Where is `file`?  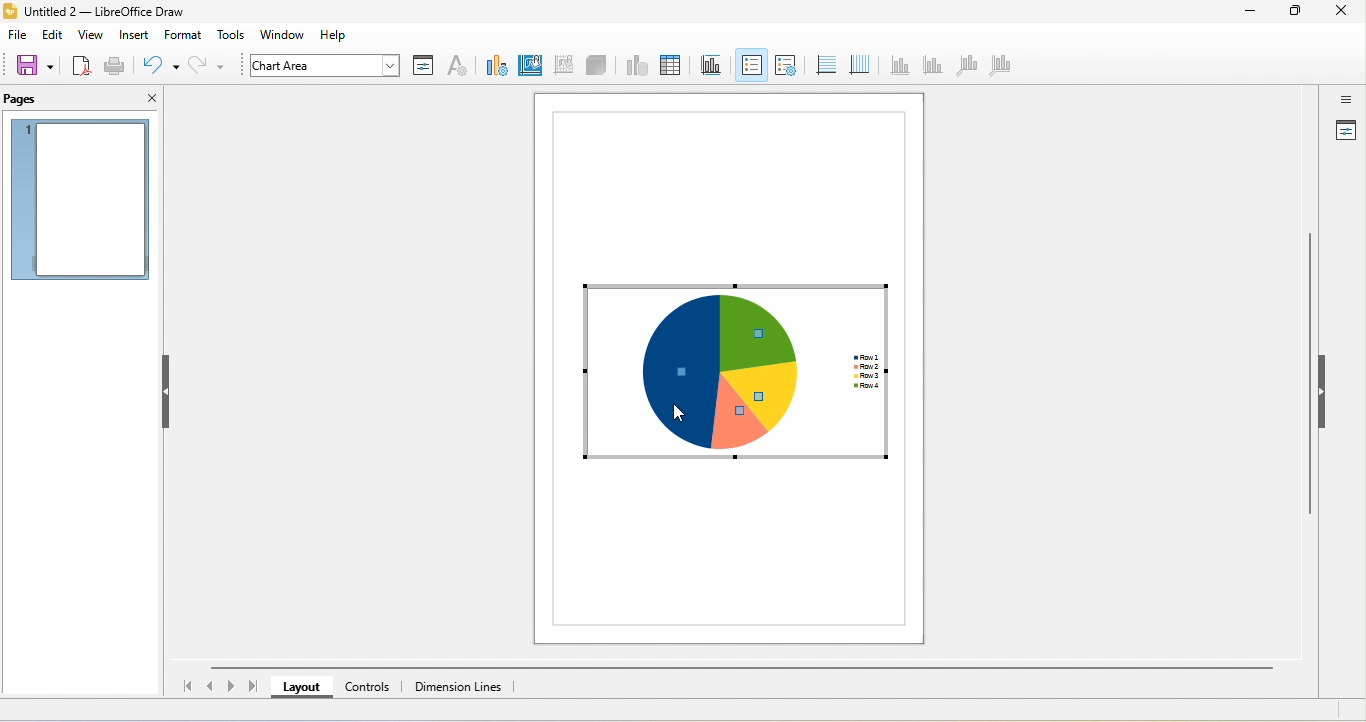 file is located at coordinates (17, 36).